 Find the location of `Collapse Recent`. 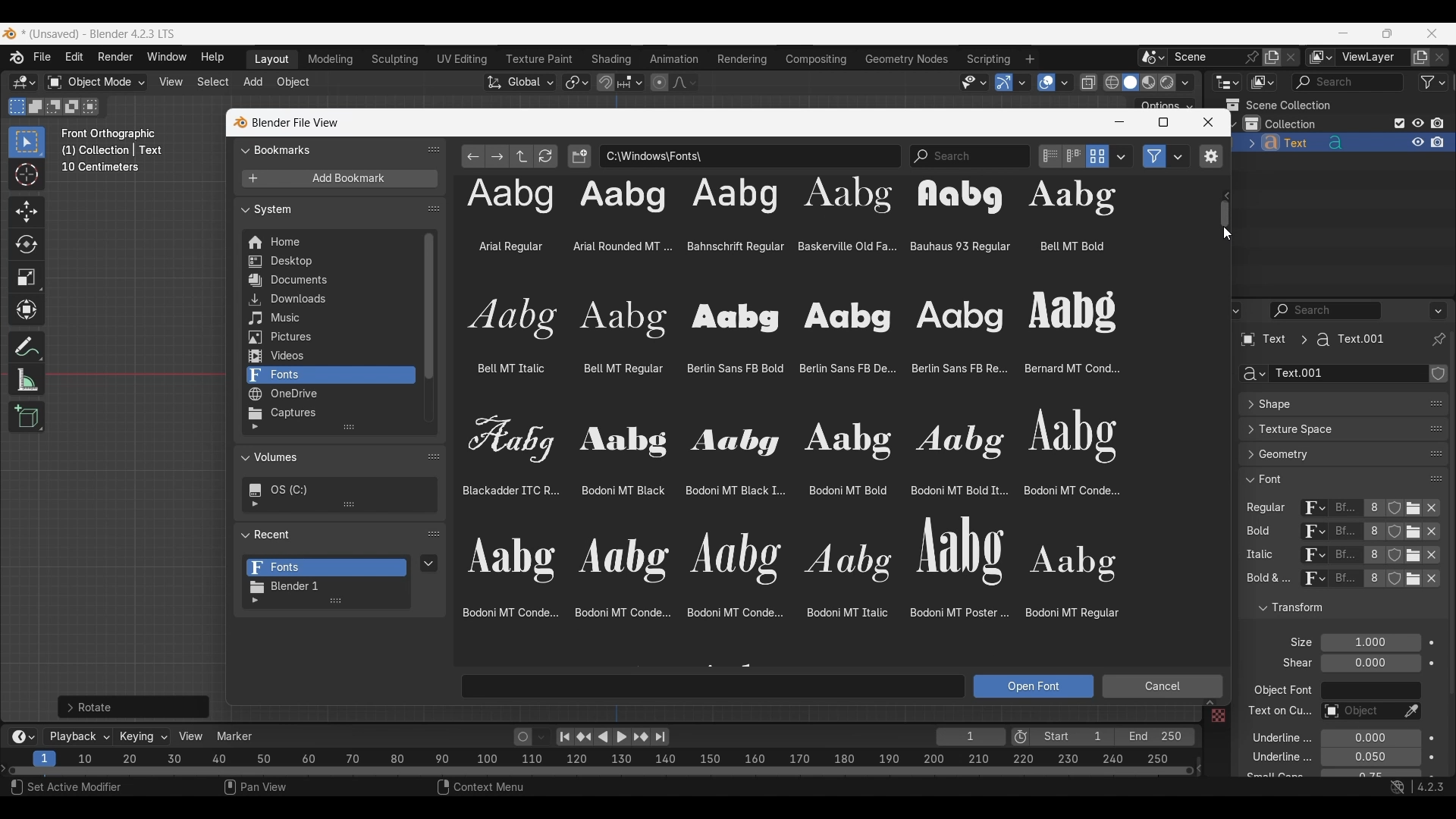

Collapse Recent is located at coordinates (328, 534).